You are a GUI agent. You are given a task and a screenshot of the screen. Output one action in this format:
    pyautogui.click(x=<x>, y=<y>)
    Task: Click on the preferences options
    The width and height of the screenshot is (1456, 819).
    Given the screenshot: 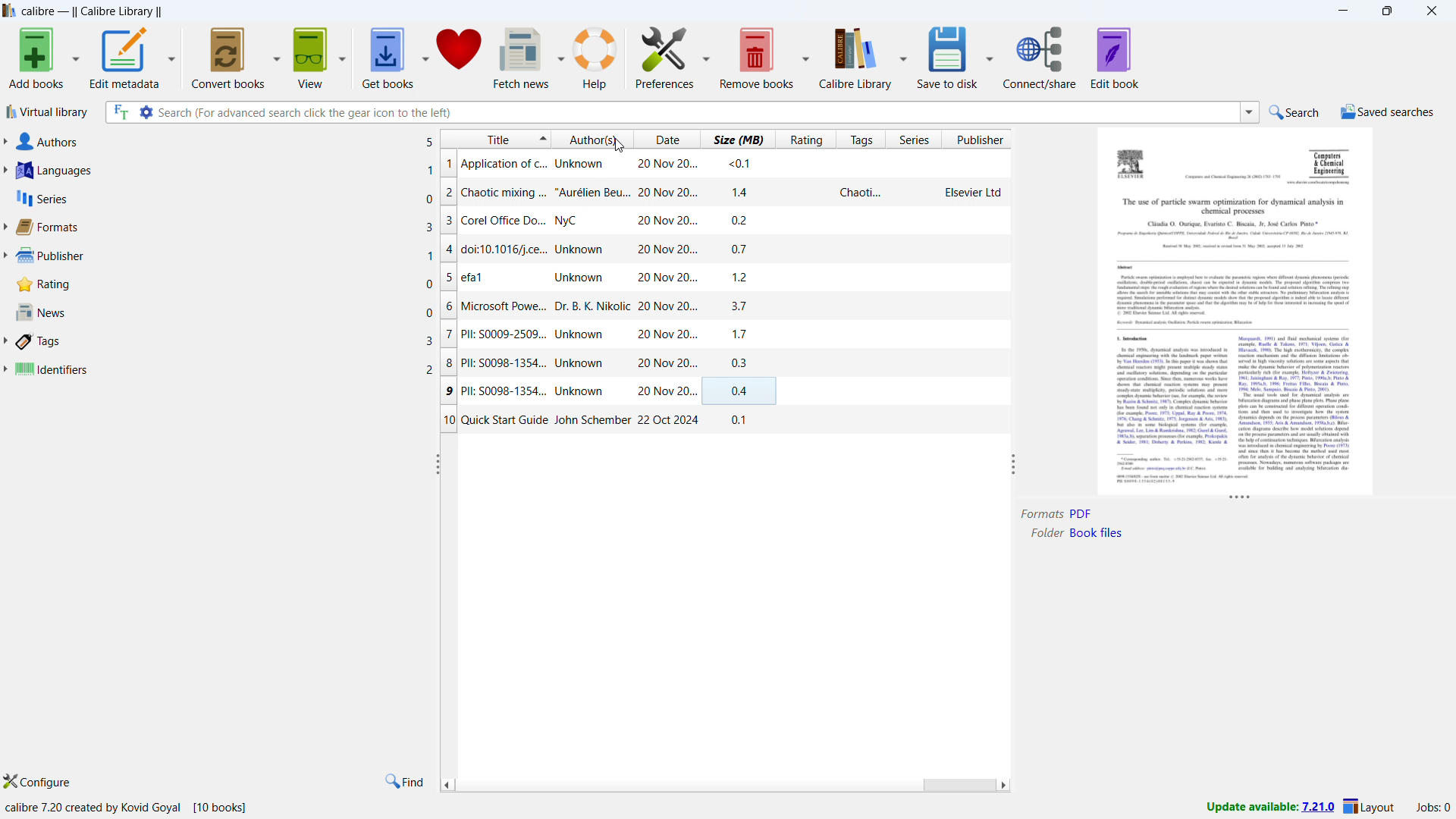 What is the action you would take?
    pyautogui.click(x=704, y=55)
    